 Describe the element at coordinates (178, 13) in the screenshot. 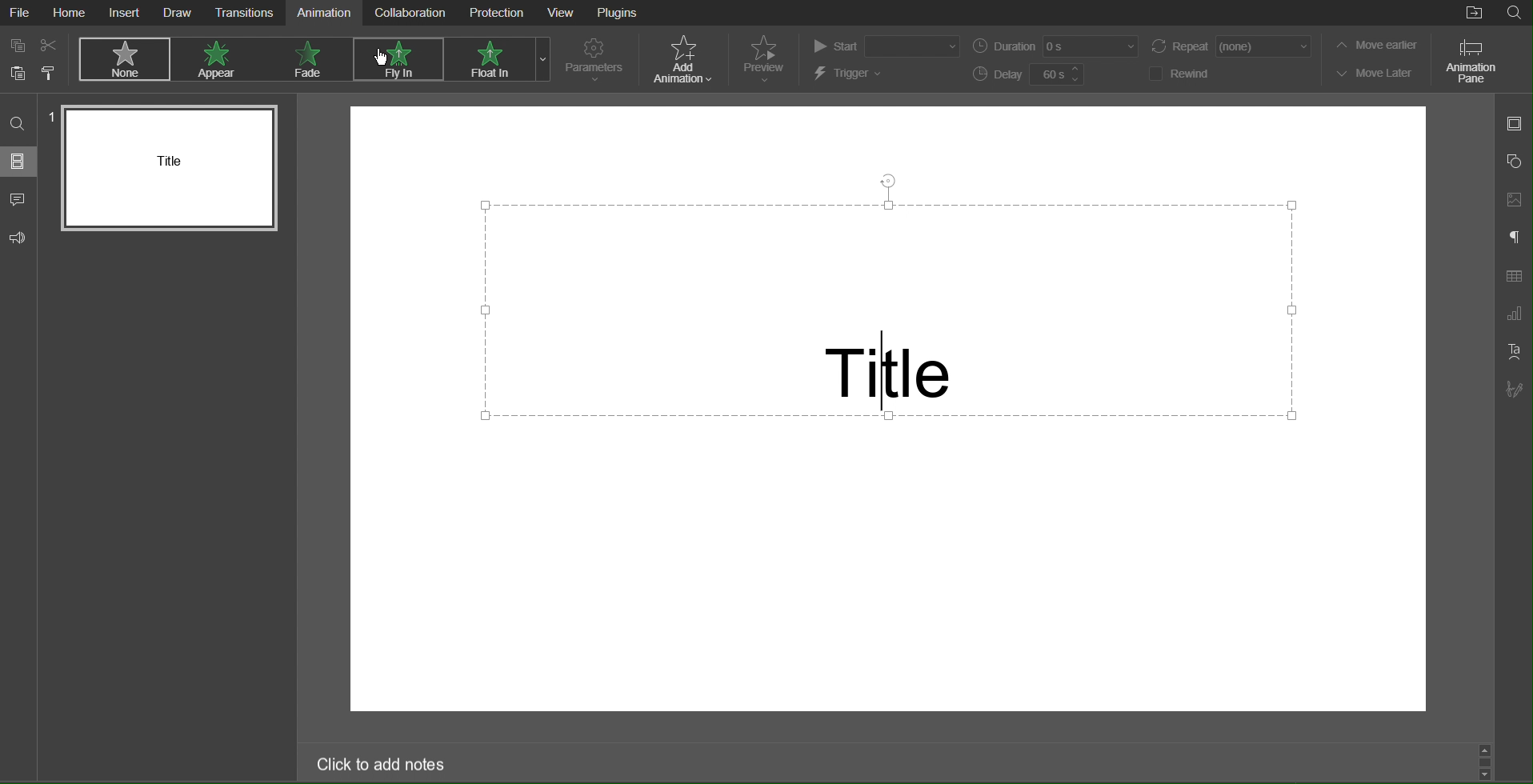

I see `Draw` at that location.